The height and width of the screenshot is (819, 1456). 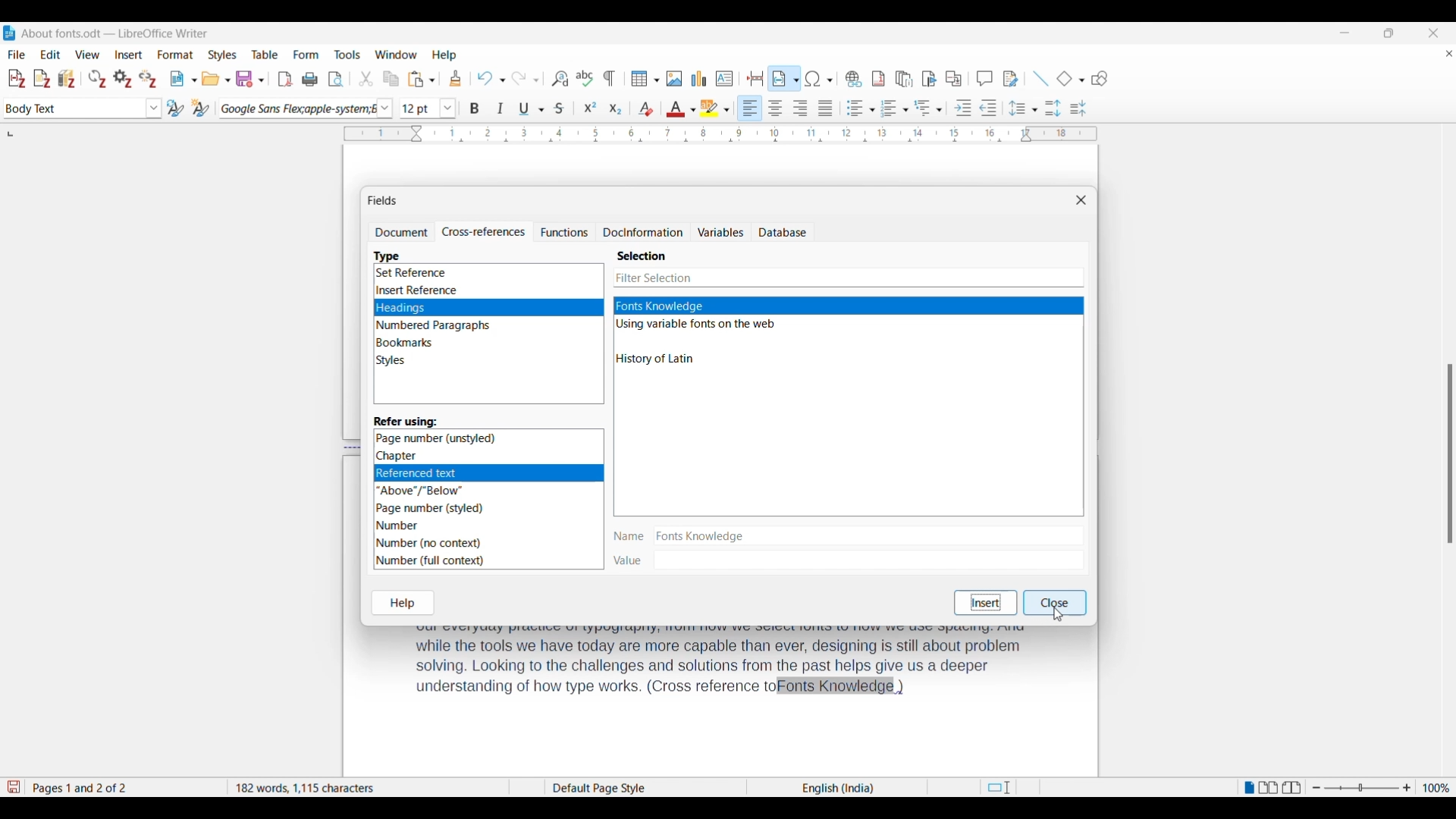 What do you see at coordinates (486, 472) in the screenshot?
I see `Referencedtet` at bounding box center [486, 472].